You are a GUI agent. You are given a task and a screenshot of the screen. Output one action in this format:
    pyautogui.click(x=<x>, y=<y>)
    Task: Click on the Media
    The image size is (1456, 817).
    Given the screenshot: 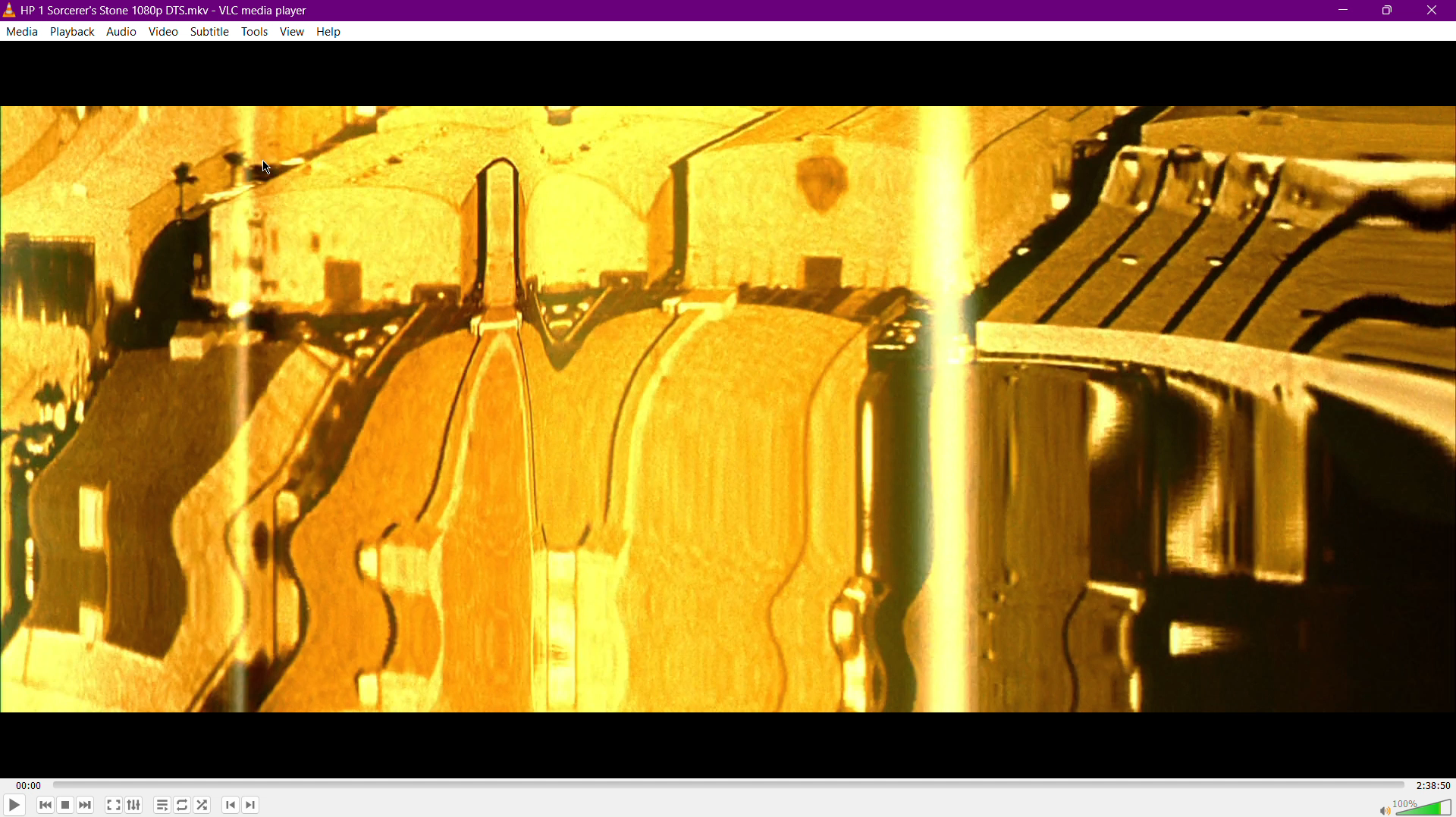 What is the action you would take?
    pyautogui.click(x=22, y=29)
    